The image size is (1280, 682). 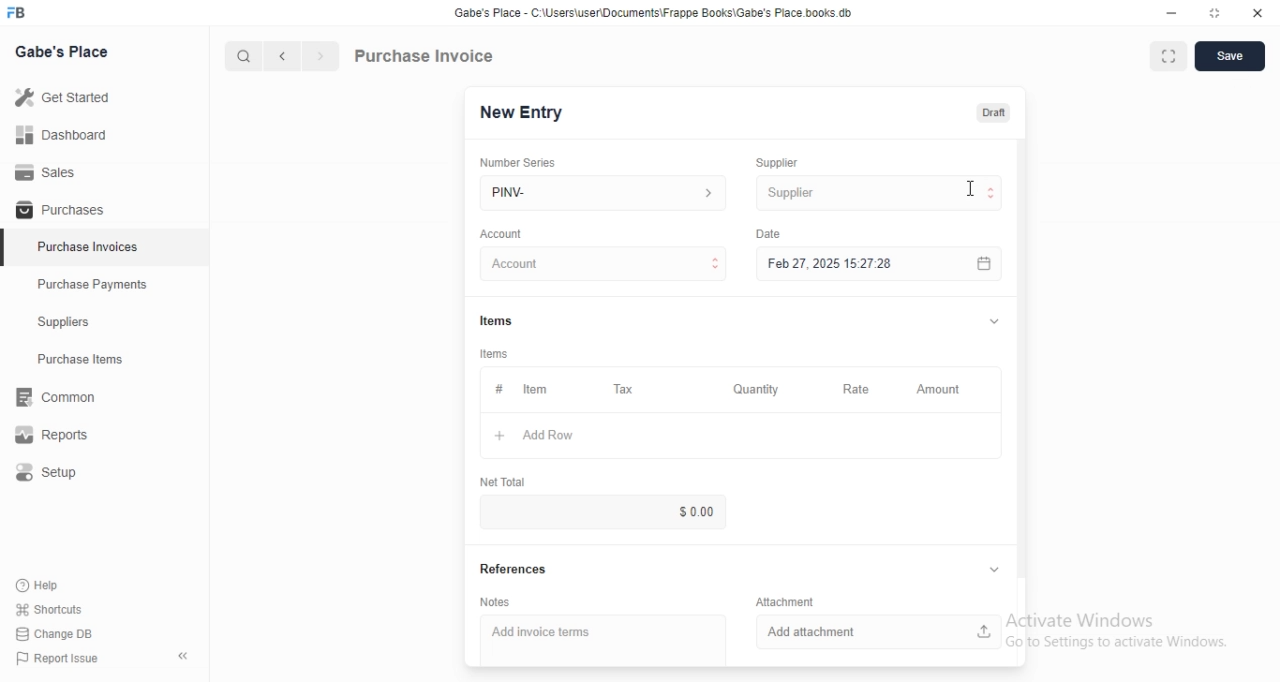 I want to click on Feb 27, 2025 15:27:28, so click(x=879, y=263).